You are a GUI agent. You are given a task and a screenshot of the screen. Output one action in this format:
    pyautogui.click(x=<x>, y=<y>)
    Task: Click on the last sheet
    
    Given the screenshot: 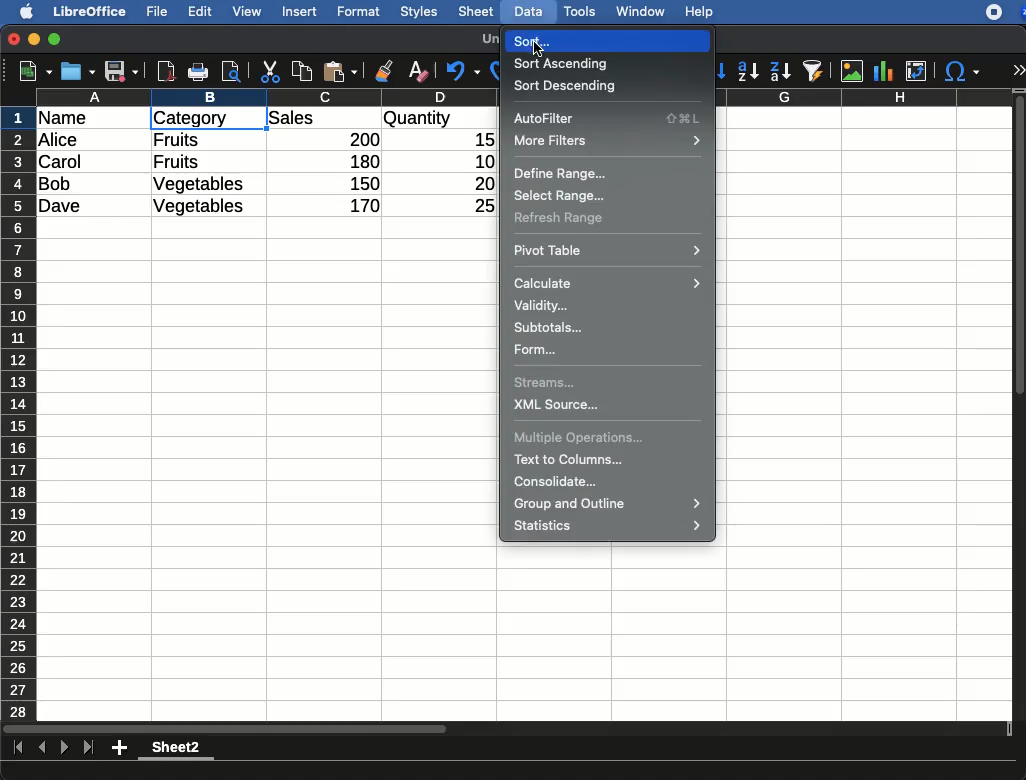 What is the action you would take?
    pyautogui.click(x=88, y=748)
    